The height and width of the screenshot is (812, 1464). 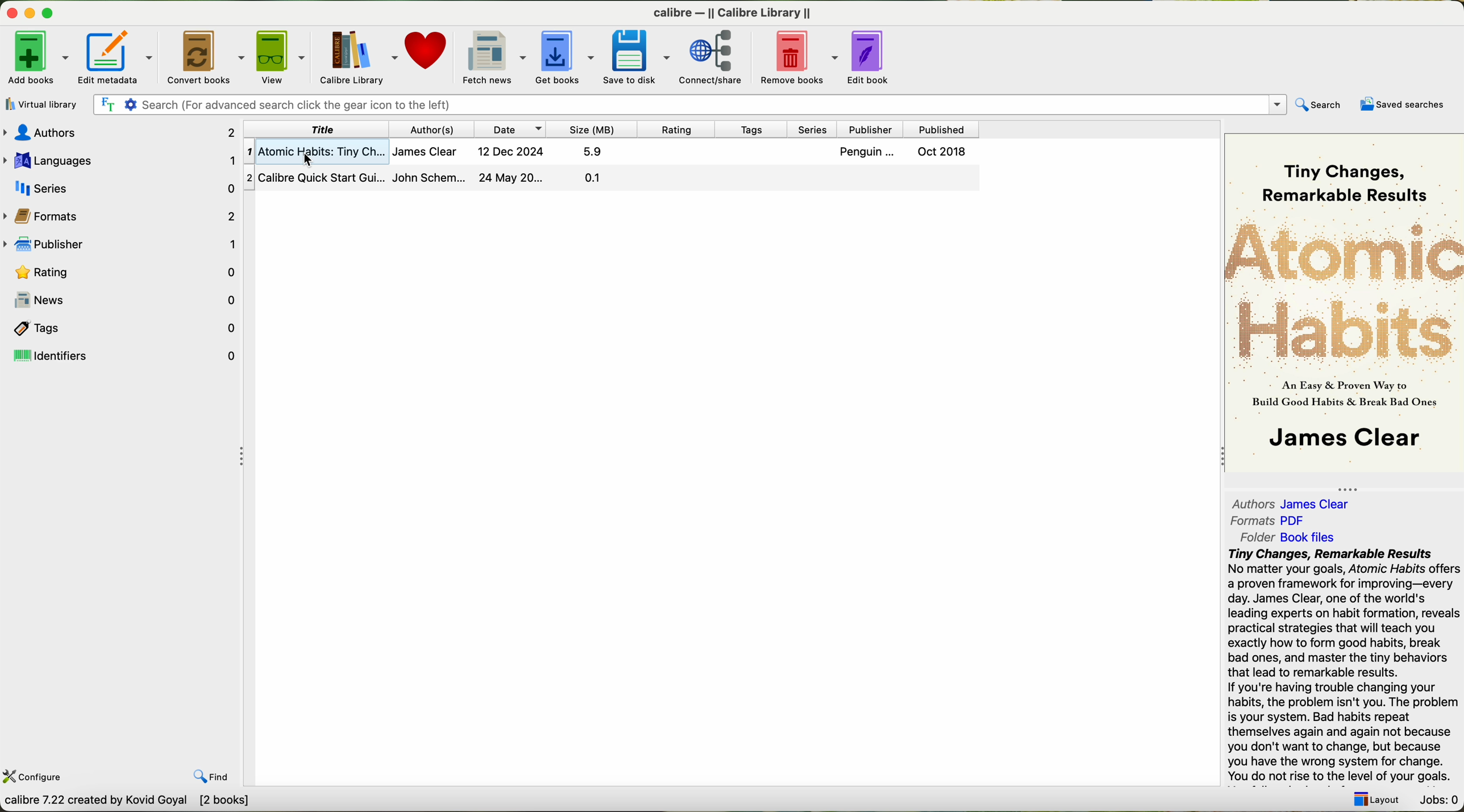 I want to click on tags, so click(x=752, y=130).